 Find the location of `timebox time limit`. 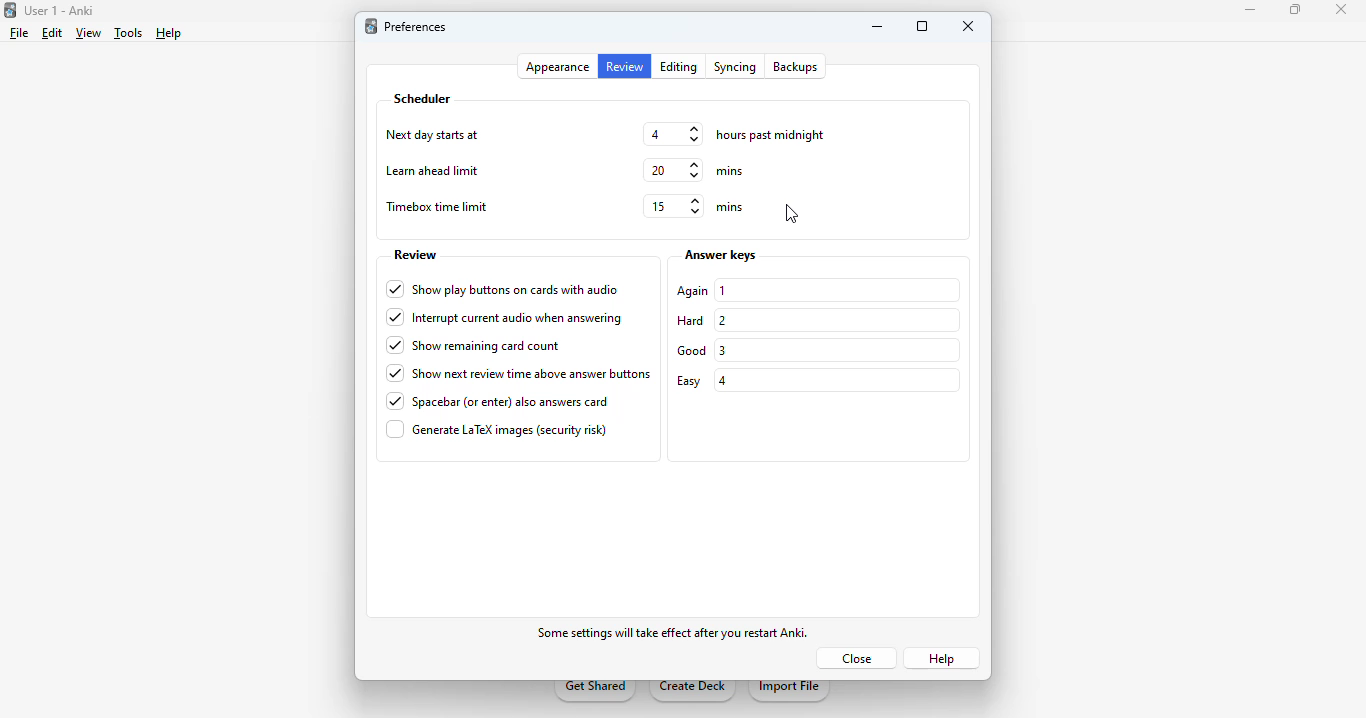

timebox time limit is located at coordinates (440, 208).